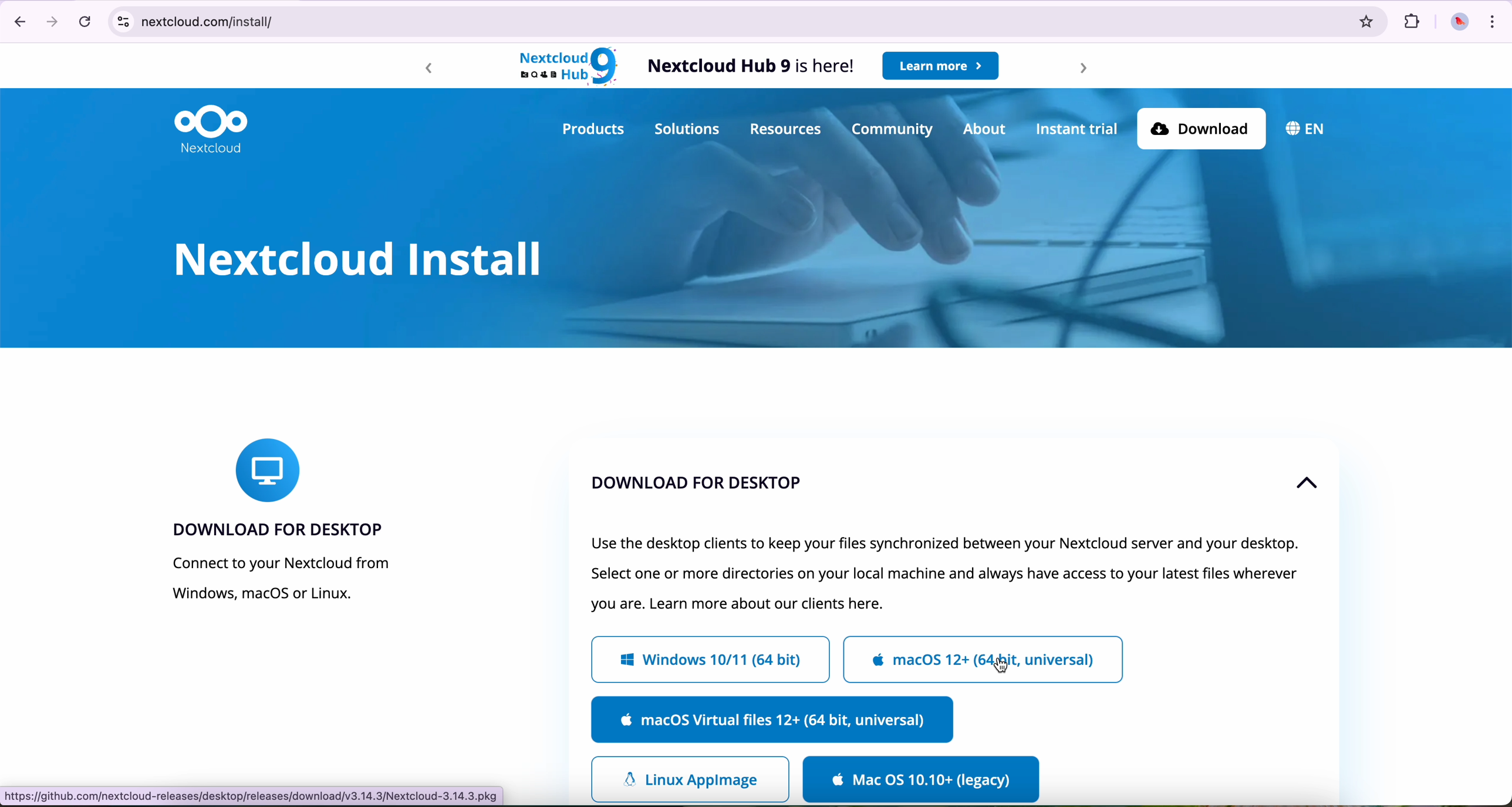  Describe the element at coordinates (1368, 22) in the screenshot. I see `favorites` at that location.